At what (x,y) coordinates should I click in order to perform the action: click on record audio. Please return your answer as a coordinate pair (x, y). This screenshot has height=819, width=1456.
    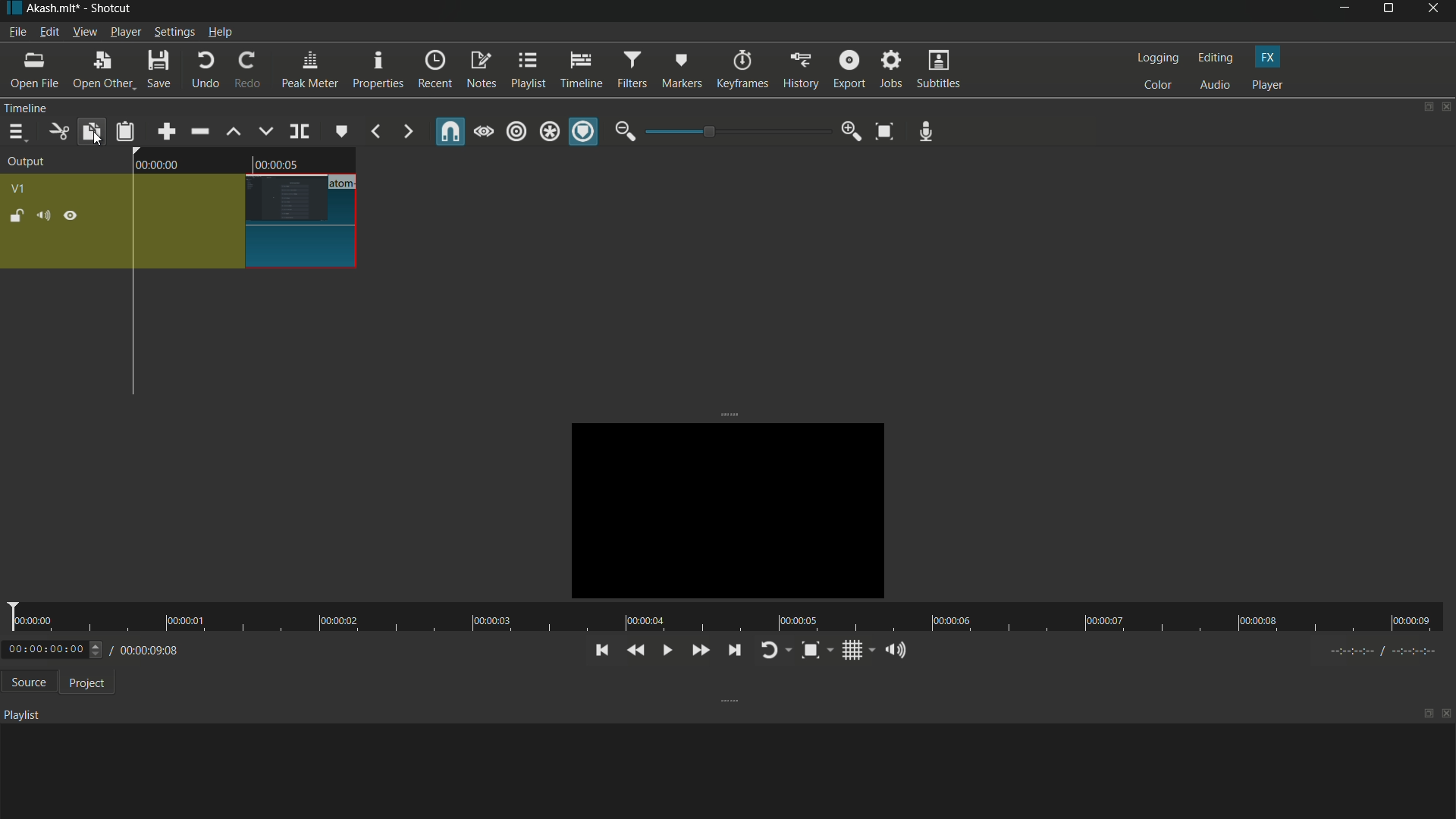
    Looking at the image, I should click on (927, 132).